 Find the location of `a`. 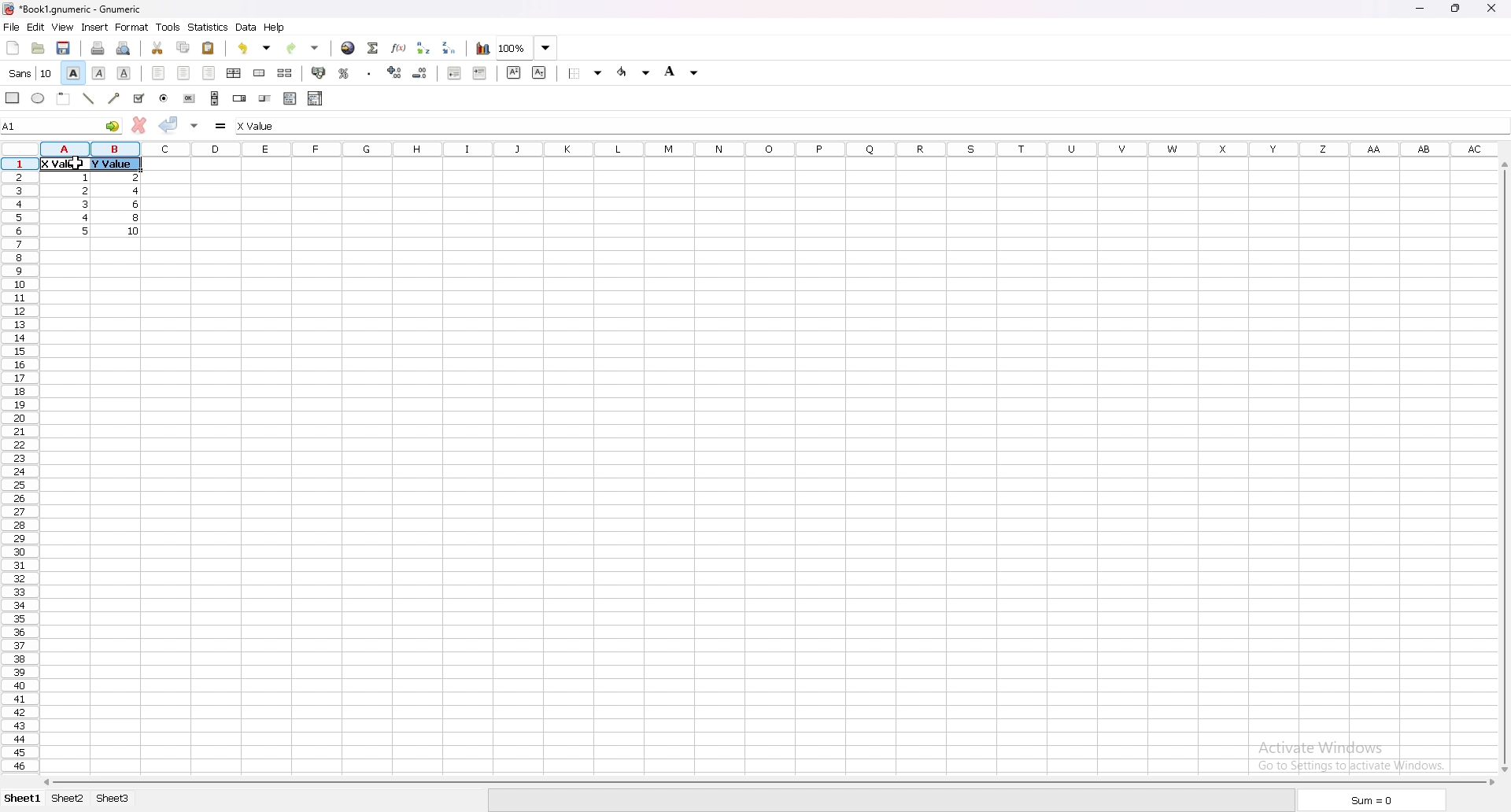

a is located at coordinates (64, 148).